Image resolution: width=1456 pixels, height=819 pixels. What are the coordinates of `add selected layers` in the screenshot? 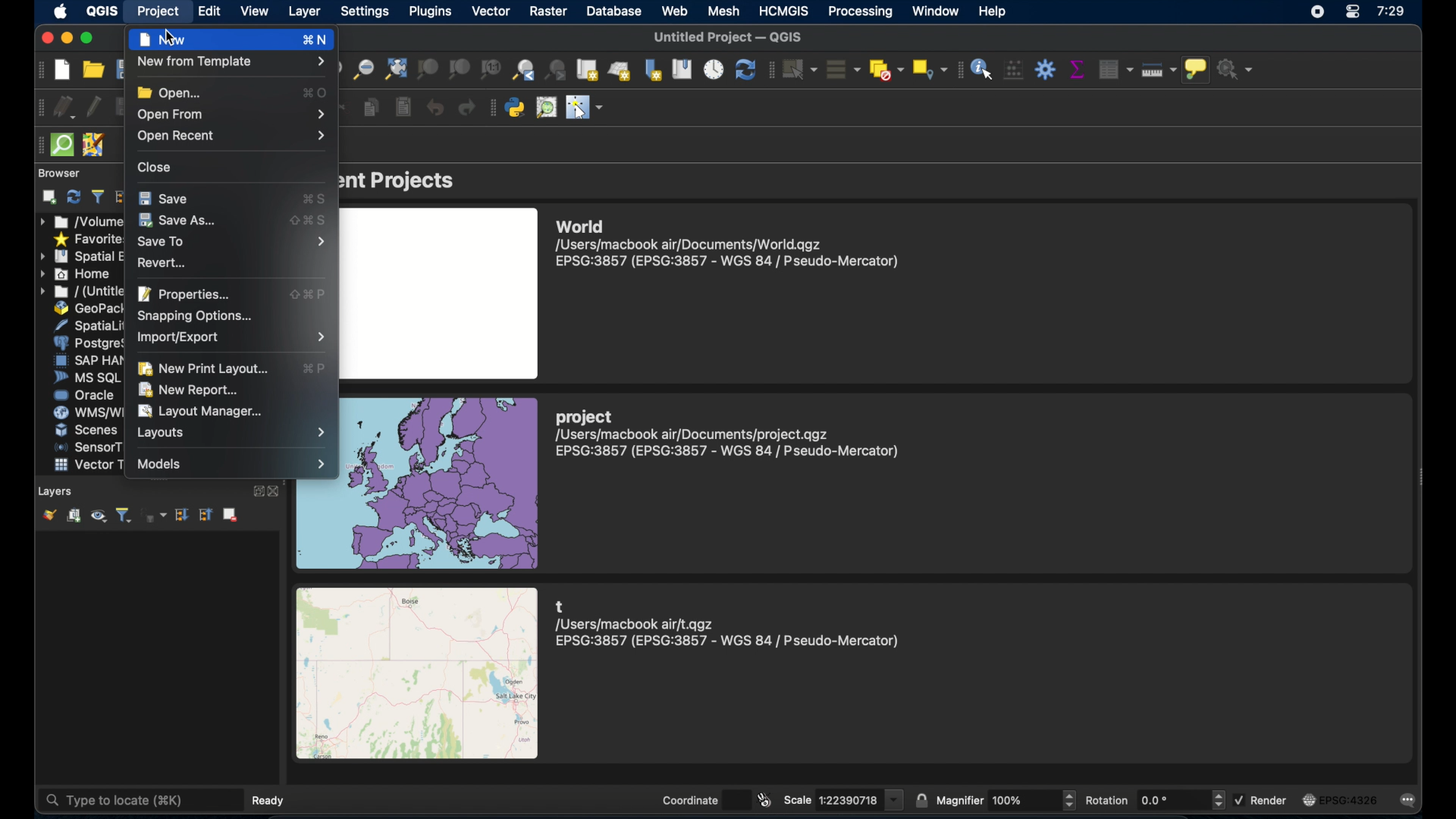 It's located at (49, 197).